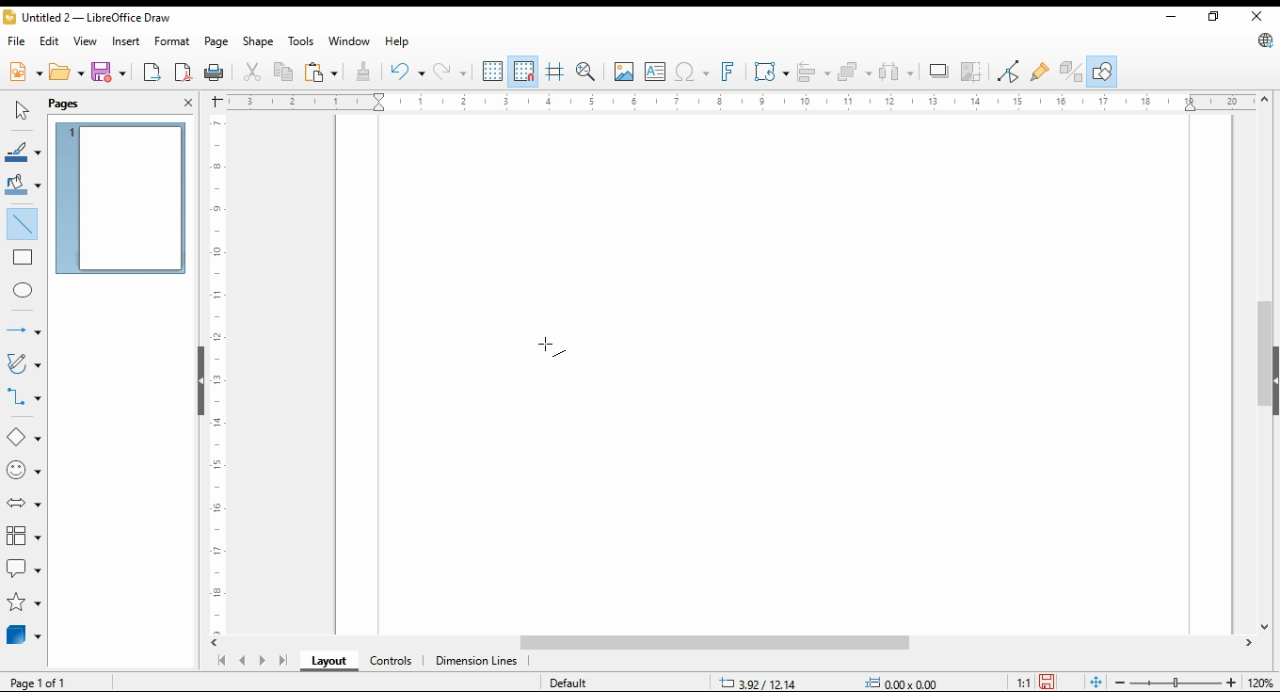 This screenshot has height=692, width=1280. I want to click on print, so click(215, 72).